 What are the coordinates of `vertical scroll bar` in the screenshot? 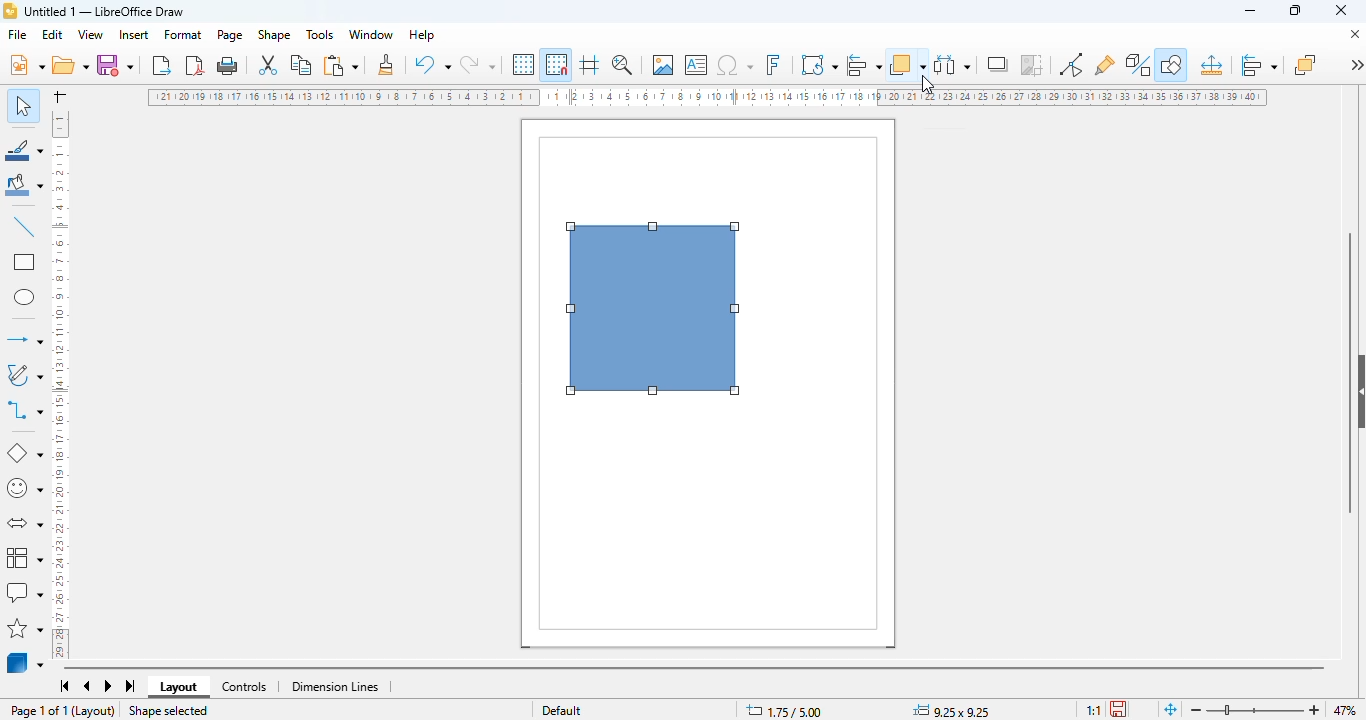 It's located at (1349, 372).